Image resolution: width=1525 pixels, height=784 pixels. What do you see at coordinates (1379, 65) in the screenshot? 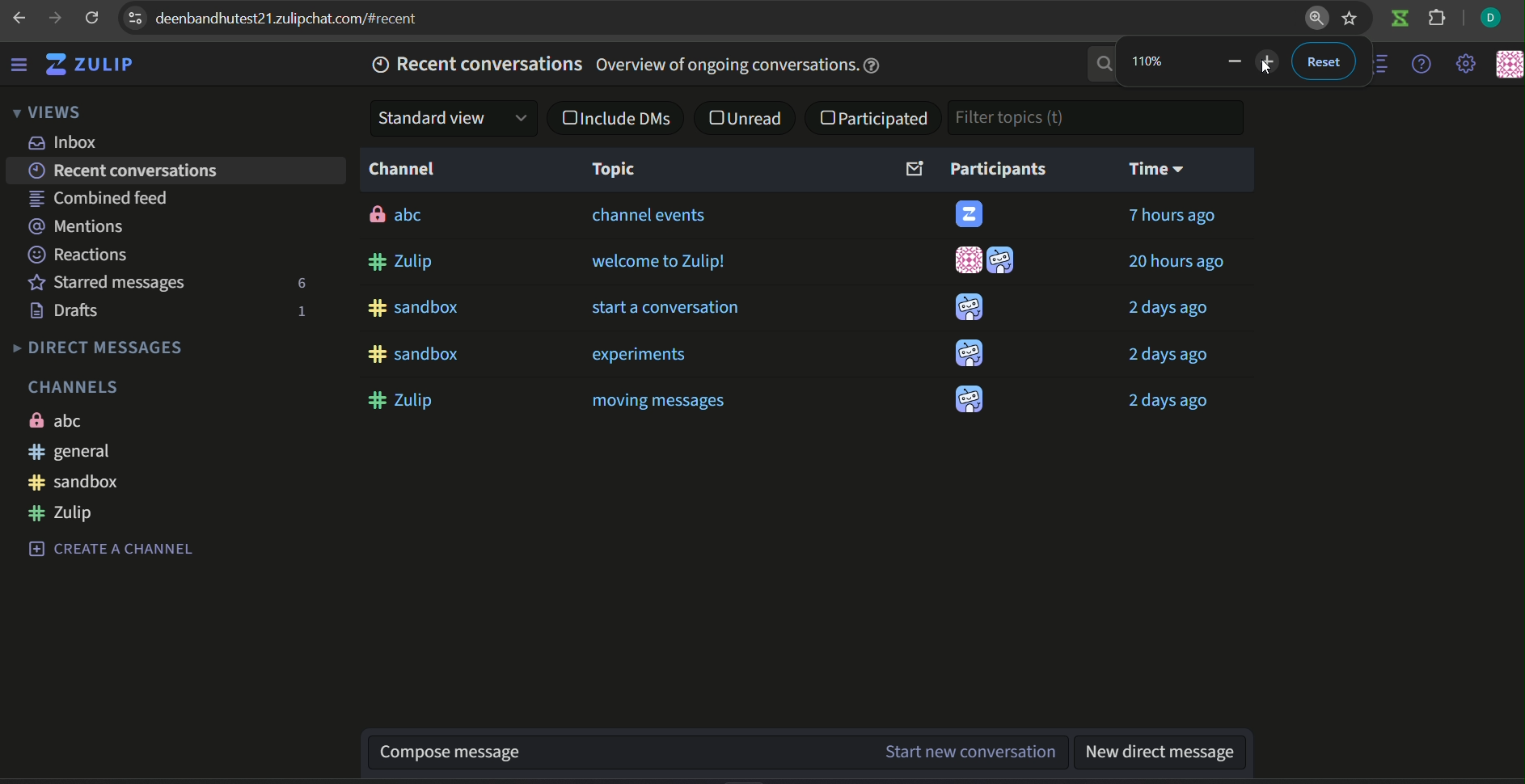
I see `options` at bounding box center [1379, 65].